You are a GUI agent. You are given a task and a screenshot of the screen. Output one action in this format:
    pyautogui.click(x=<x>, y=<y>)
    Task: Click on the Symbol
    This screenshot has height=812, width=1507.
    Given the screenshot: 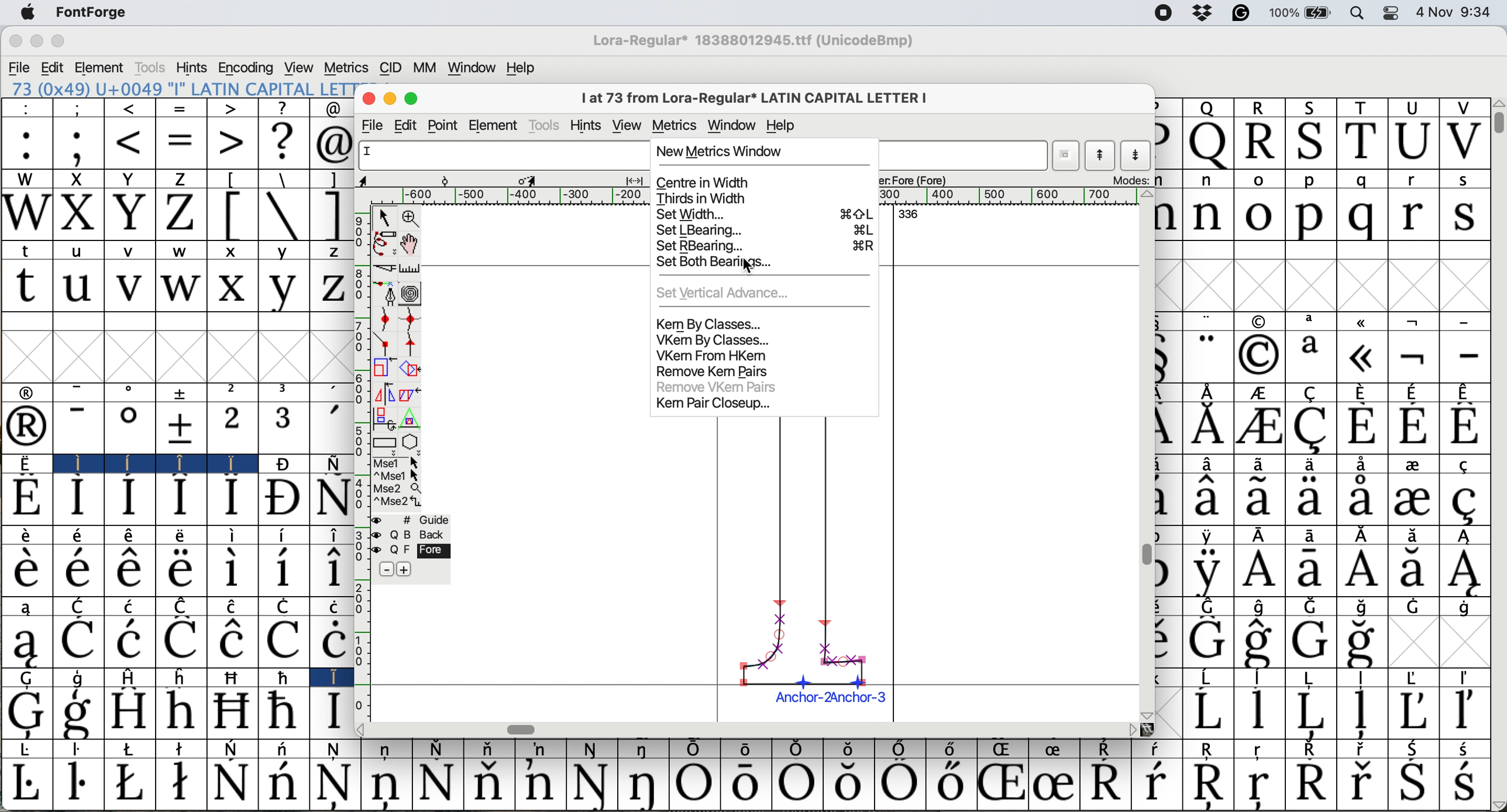 What is the action you would take?
    pyautogui.click(x=1312, y=641)
    